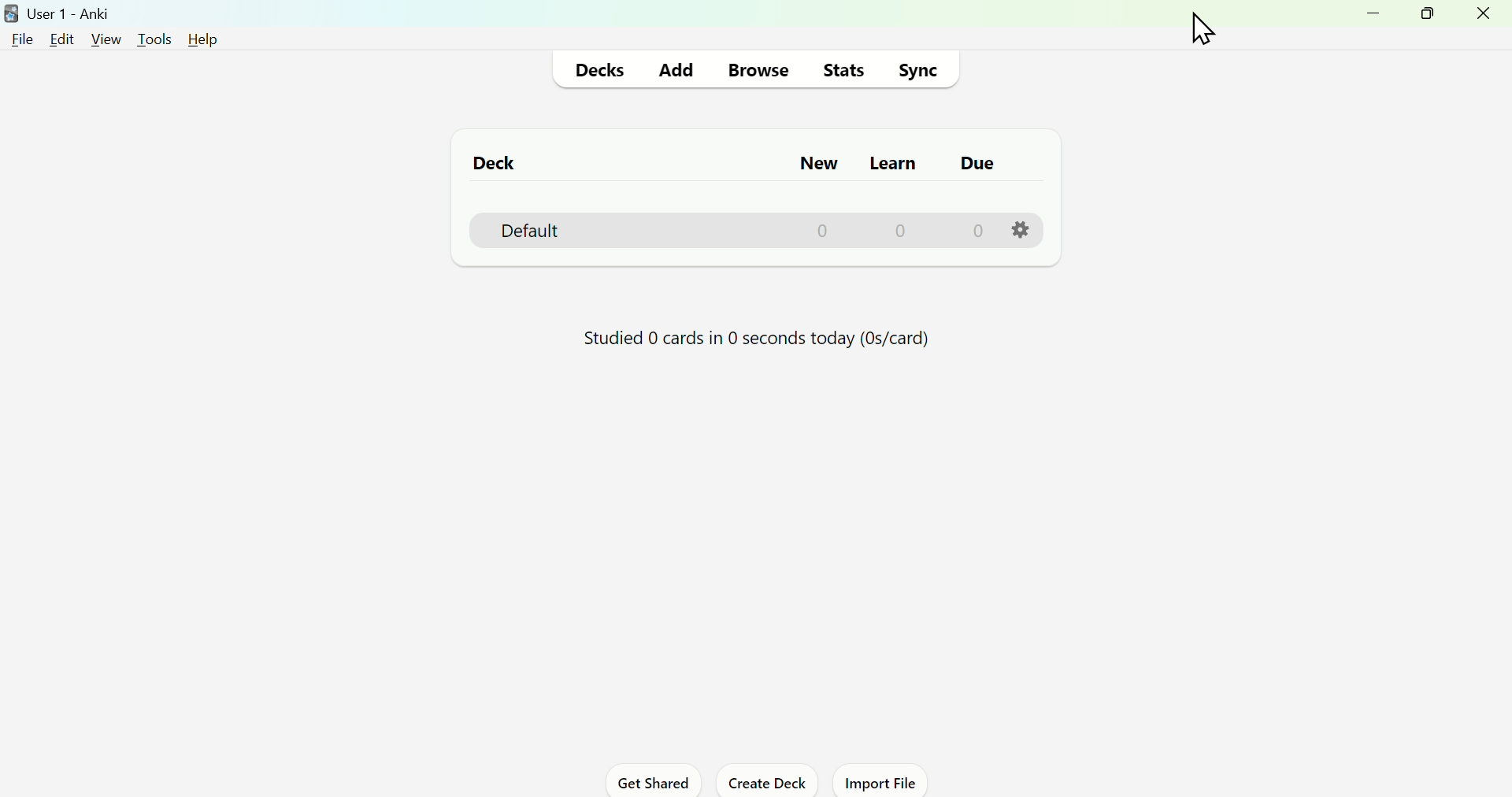 The image size is (1512, 797). Describe the element at coordinates (680, 69) in the screenshot. I see `Add` at that location.